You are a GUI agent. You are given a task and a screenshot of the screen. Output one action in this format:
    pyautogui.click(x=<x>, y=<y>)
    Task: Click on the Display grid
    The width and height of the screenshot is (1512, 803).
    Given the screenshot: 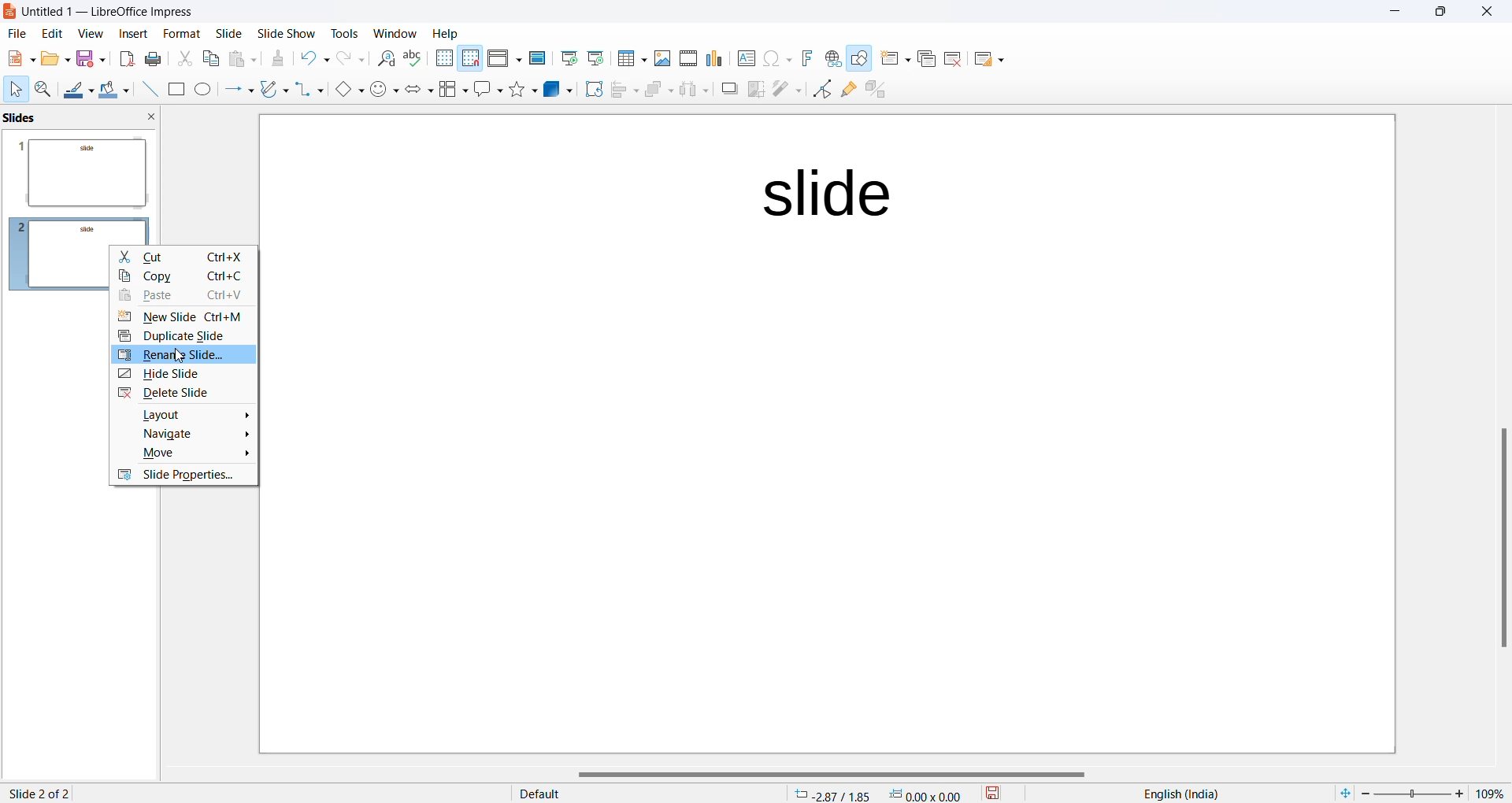 What is the action you would take?
    pyautogui.click(x=443, y=58)
    